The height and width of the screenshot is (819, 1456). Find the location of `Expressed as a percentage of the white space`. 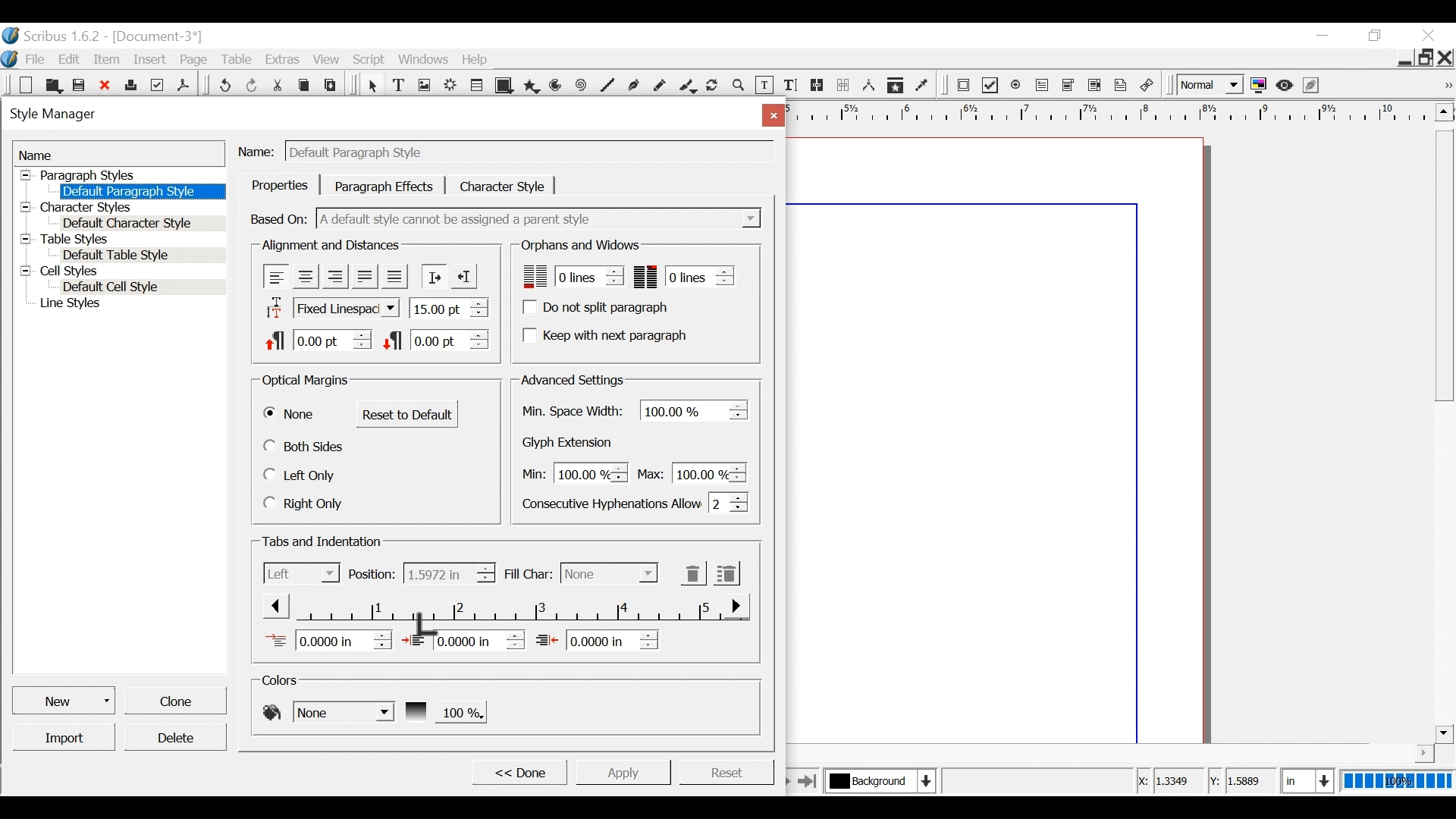

Expressed as a percentage of the white space is located at coordinates (695, 409).